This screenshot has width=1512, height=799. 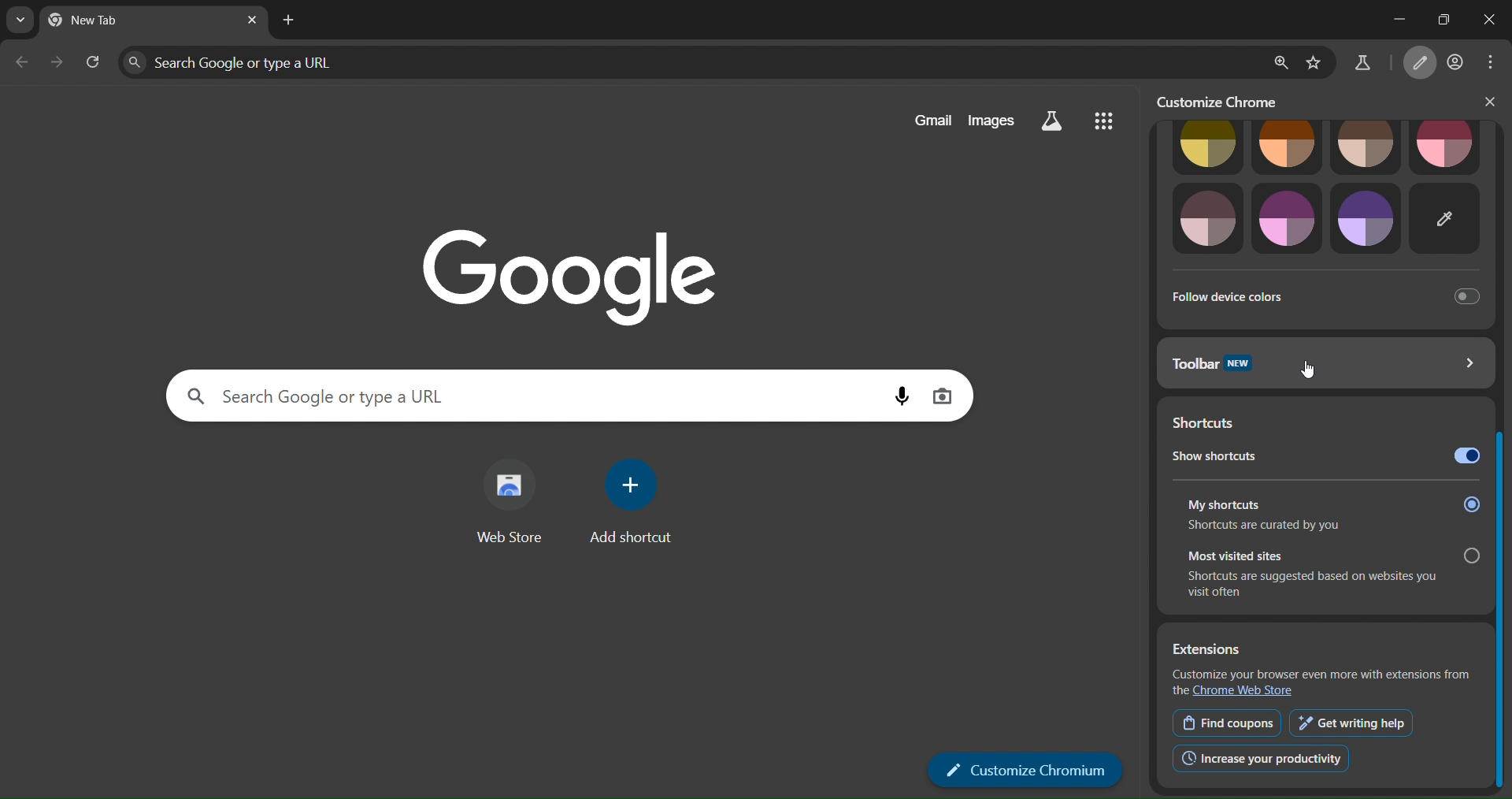 I want to click on current tab, so click(x=109, y=22).